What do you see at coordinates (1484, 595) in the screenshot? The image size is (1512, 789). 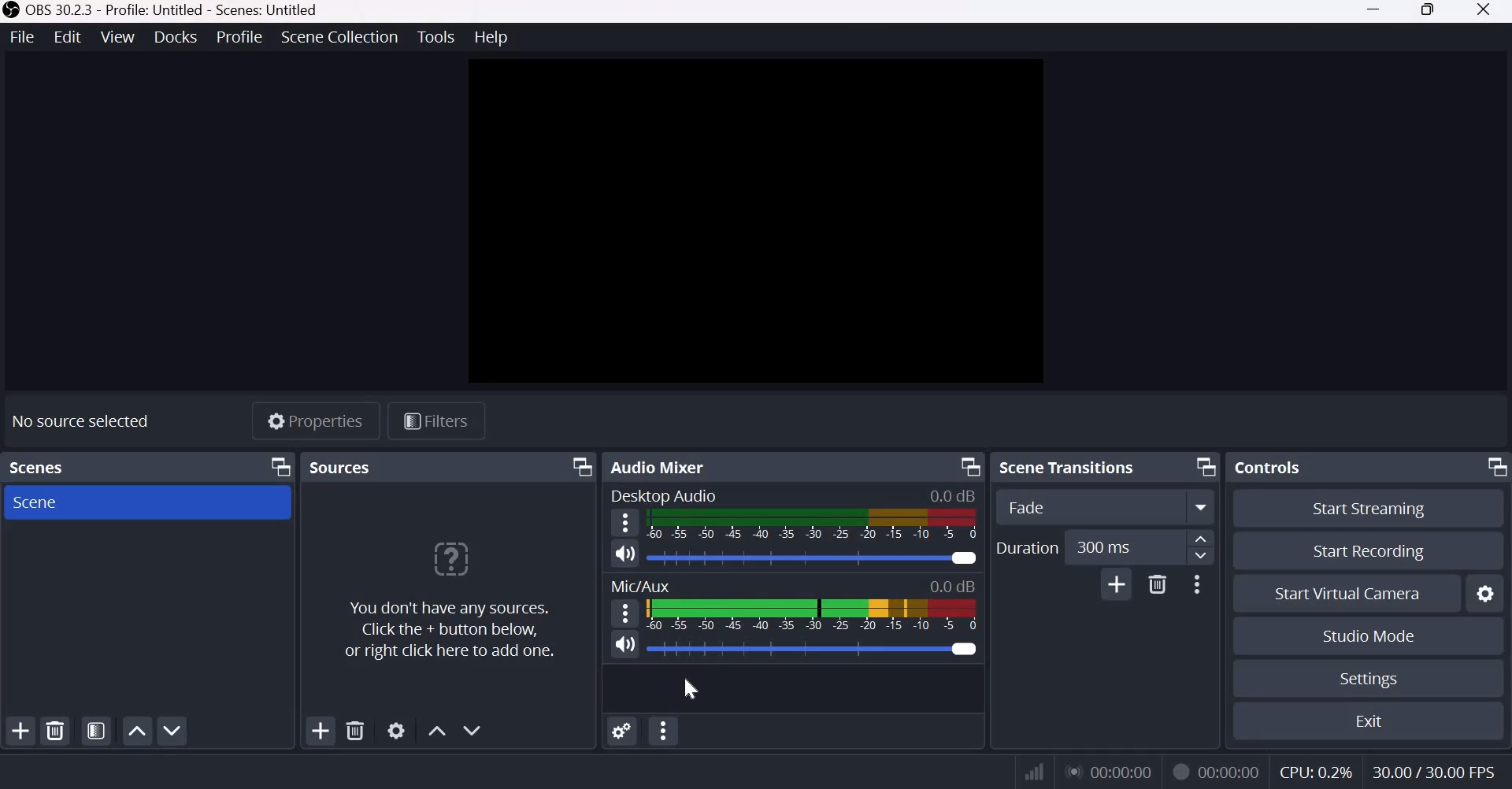 I see `configure virtual camera` at bounding box center [1484, 595].